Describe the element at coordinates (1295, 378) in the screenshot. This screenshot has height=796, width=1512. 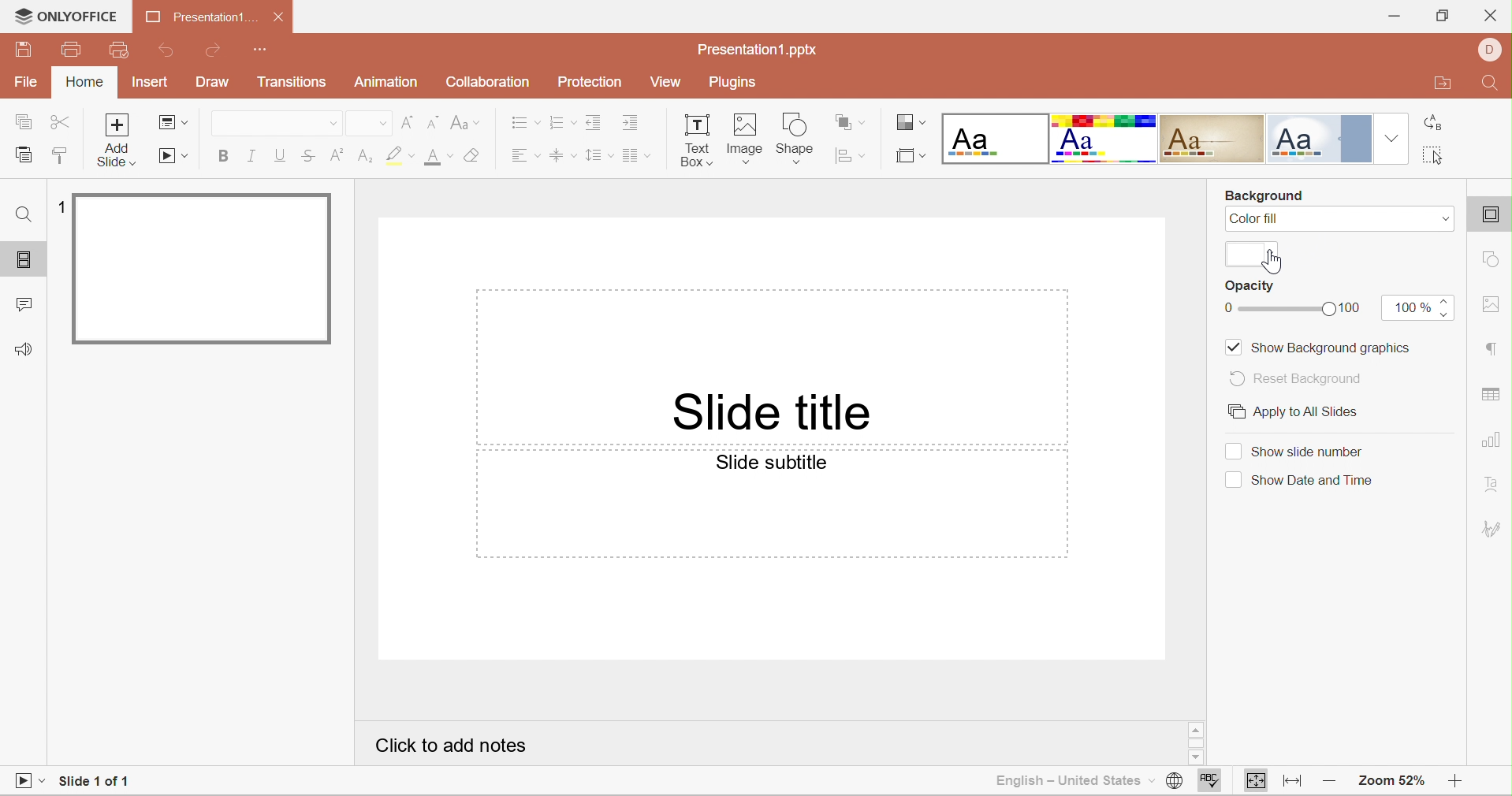
I see `Reset Background` at that location.